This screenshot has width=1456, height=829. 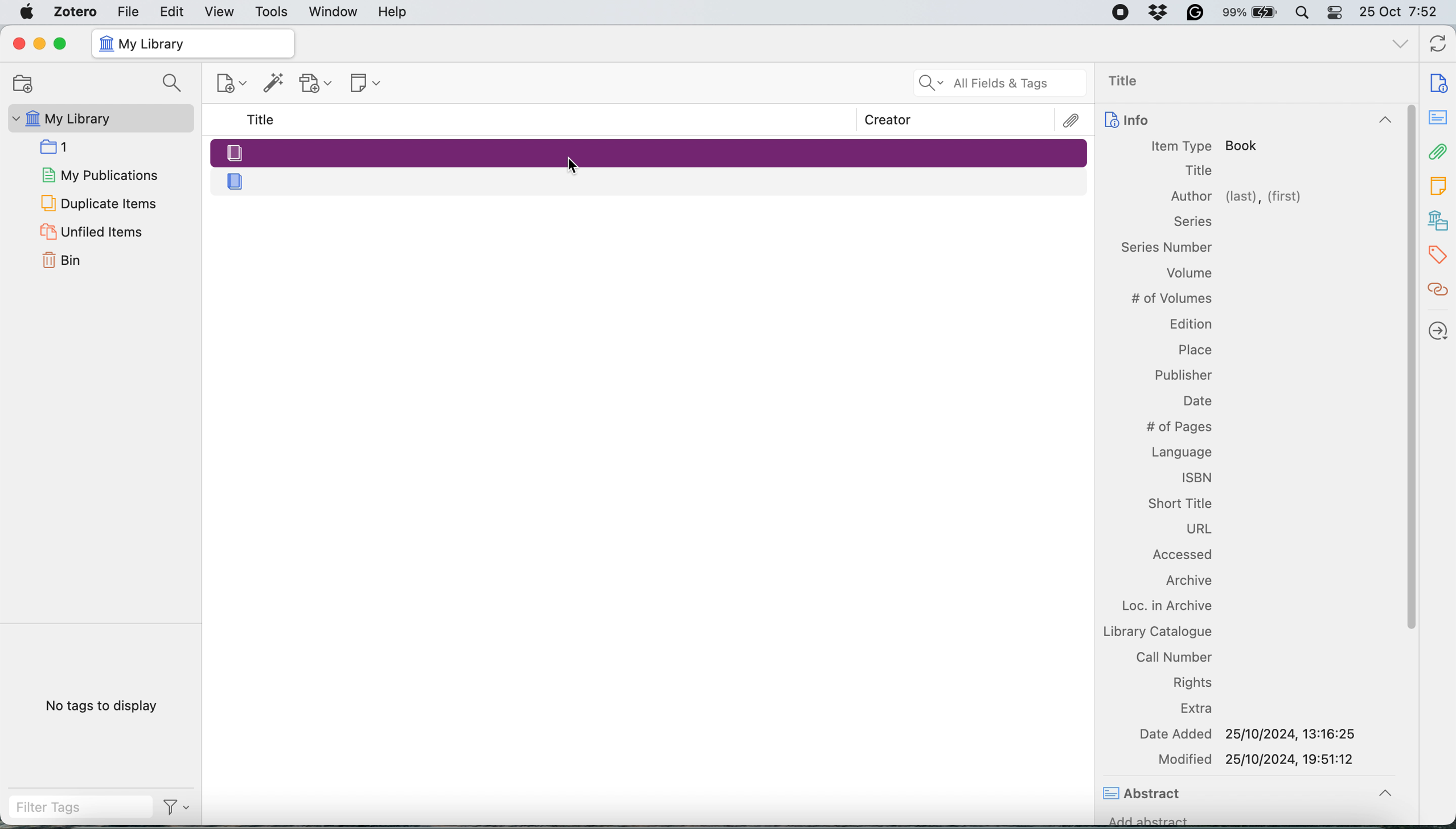 What do you see at coordinates (1187, 582) in the screenshot?
I see `Archive` at bounding box center [1187, 582].